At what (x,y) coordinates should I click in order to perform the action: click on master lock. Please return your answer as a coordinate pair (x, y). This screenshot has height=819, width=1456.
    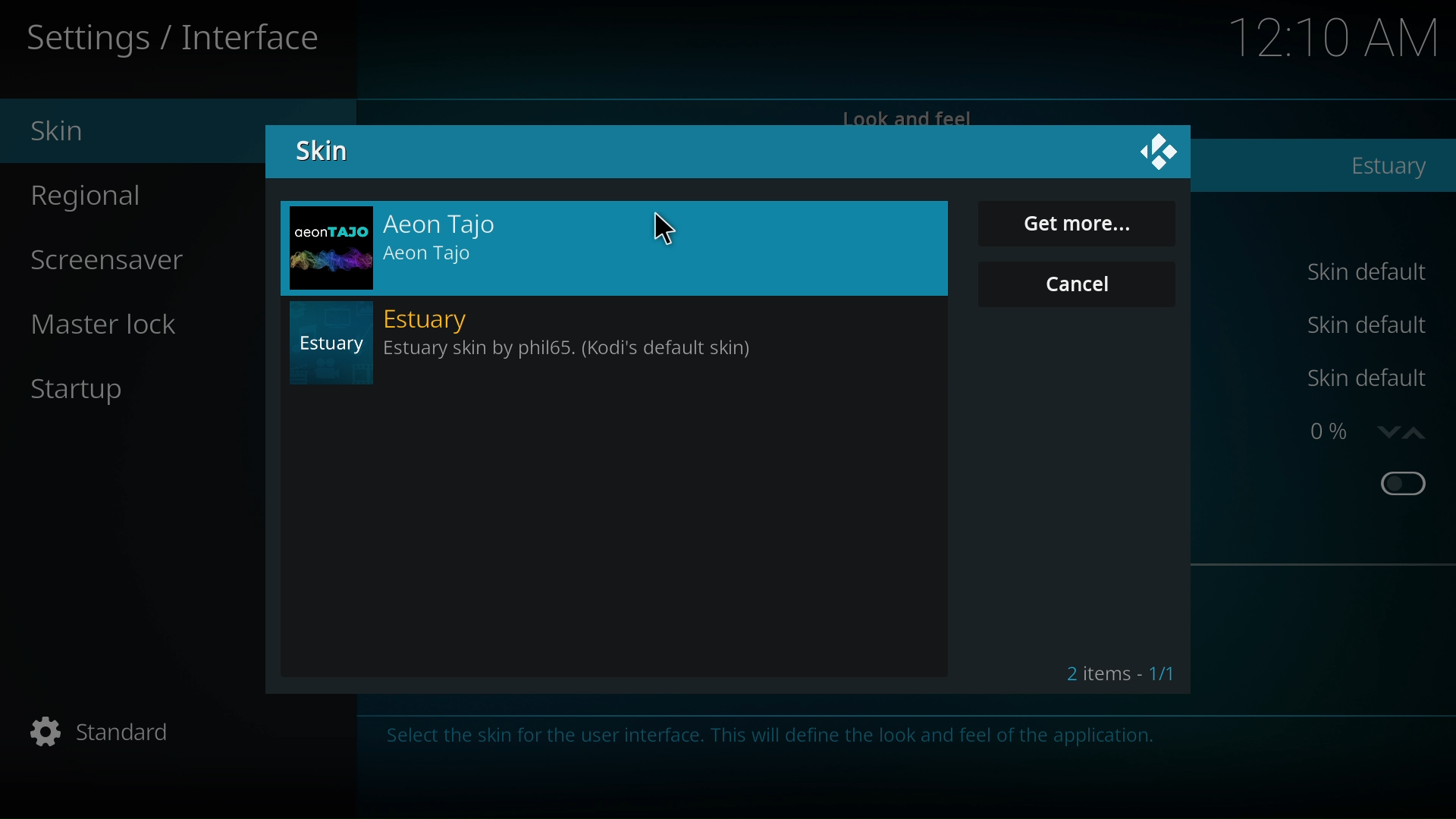
    Looking at the image, I should click on (99, 326).